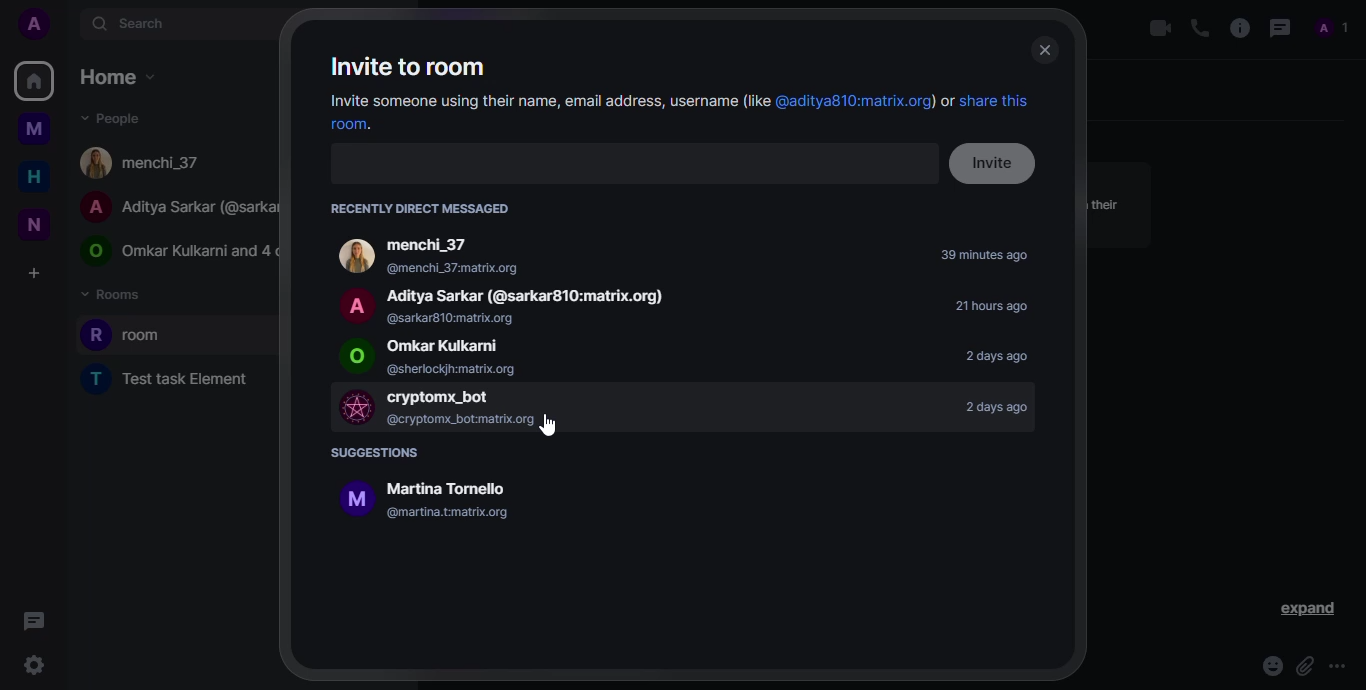 The width and height of the screenshot is (1366, 690). What do you see at coordinates (1046, 51) in the screenshot?
I see `close` at bounding box center [1046, 51].